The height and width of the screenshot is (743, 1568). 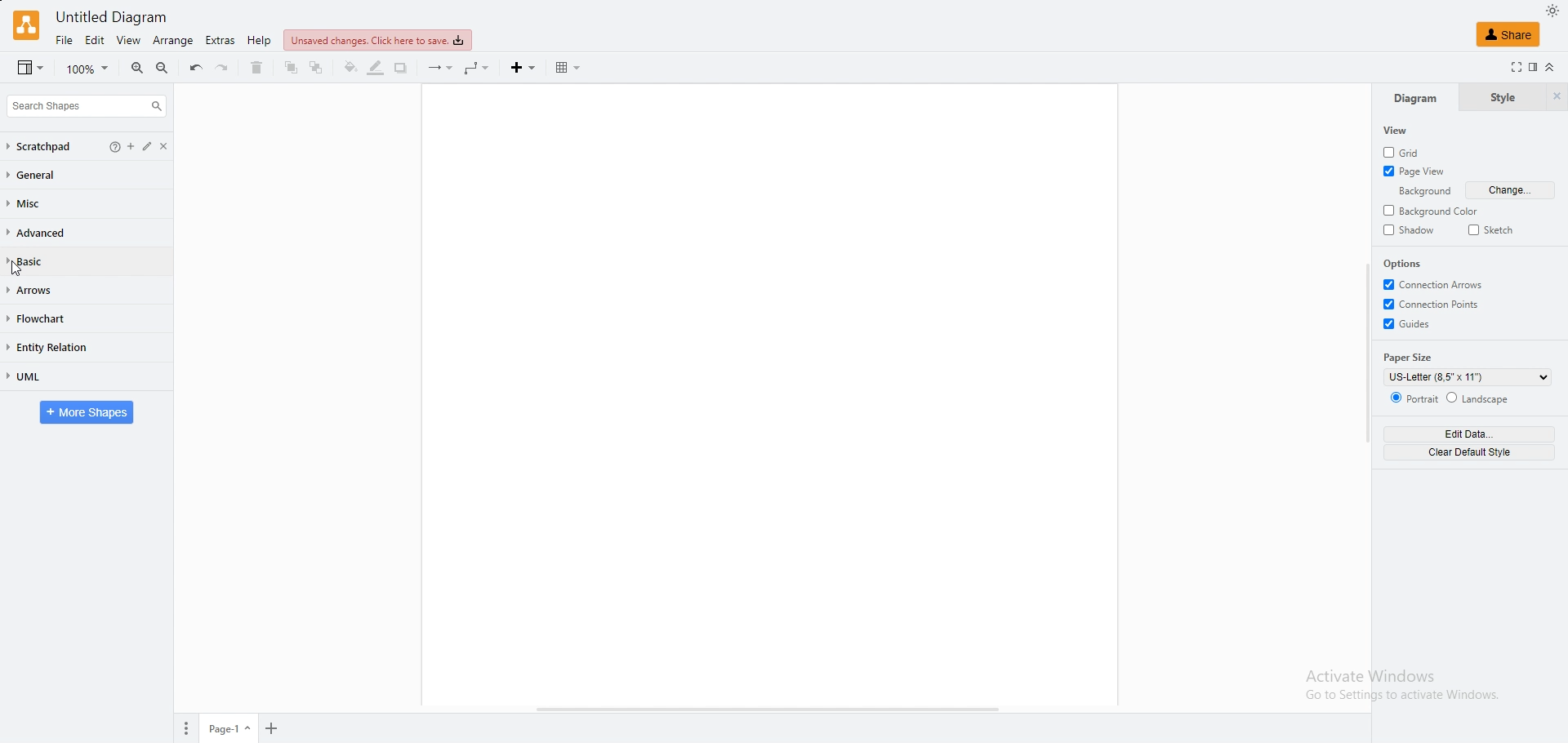 I want to click on SHADOW, so click(x=403, y=69).